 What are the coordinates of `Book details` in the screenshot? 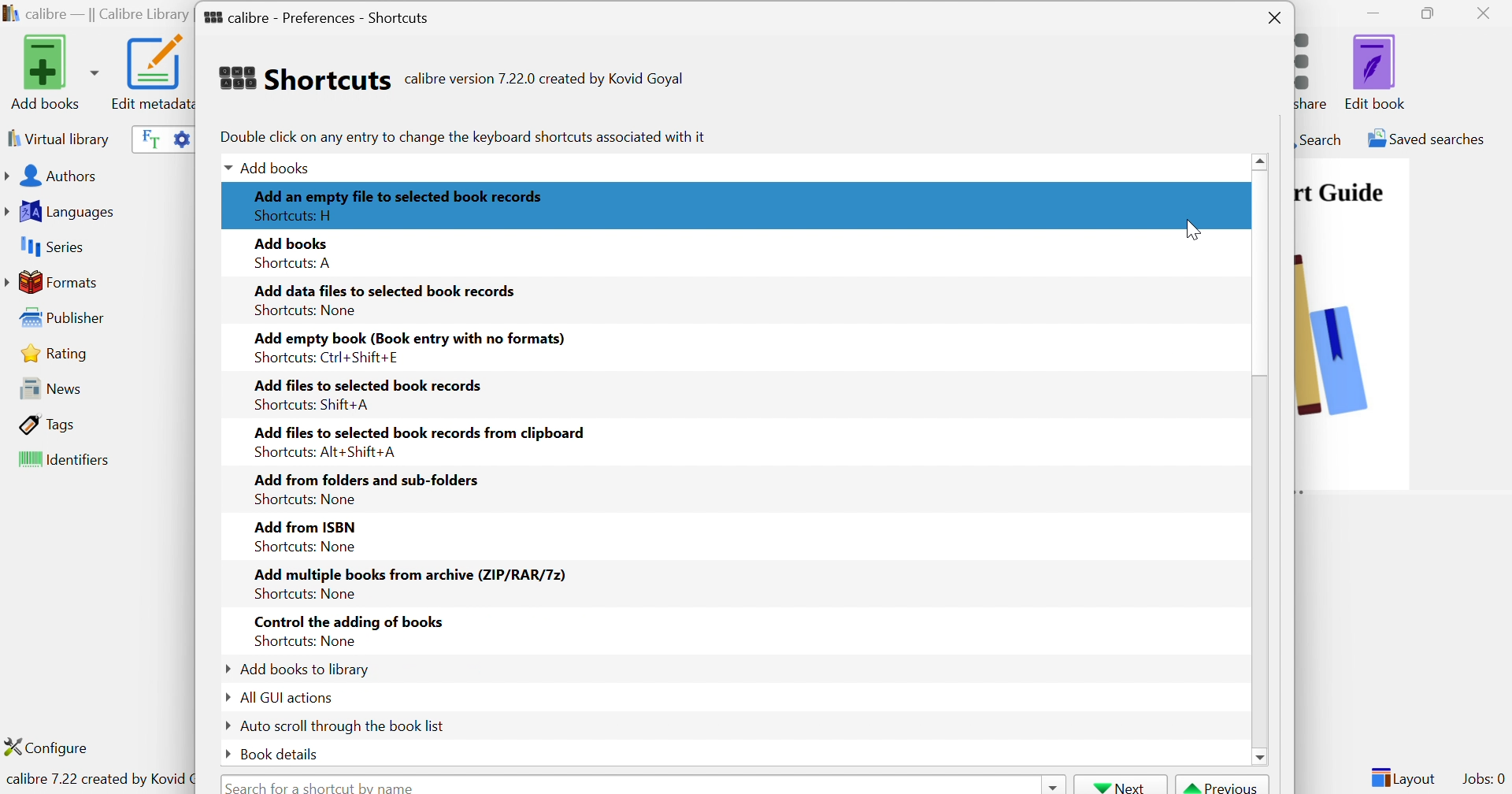 It's located at (280, 754).